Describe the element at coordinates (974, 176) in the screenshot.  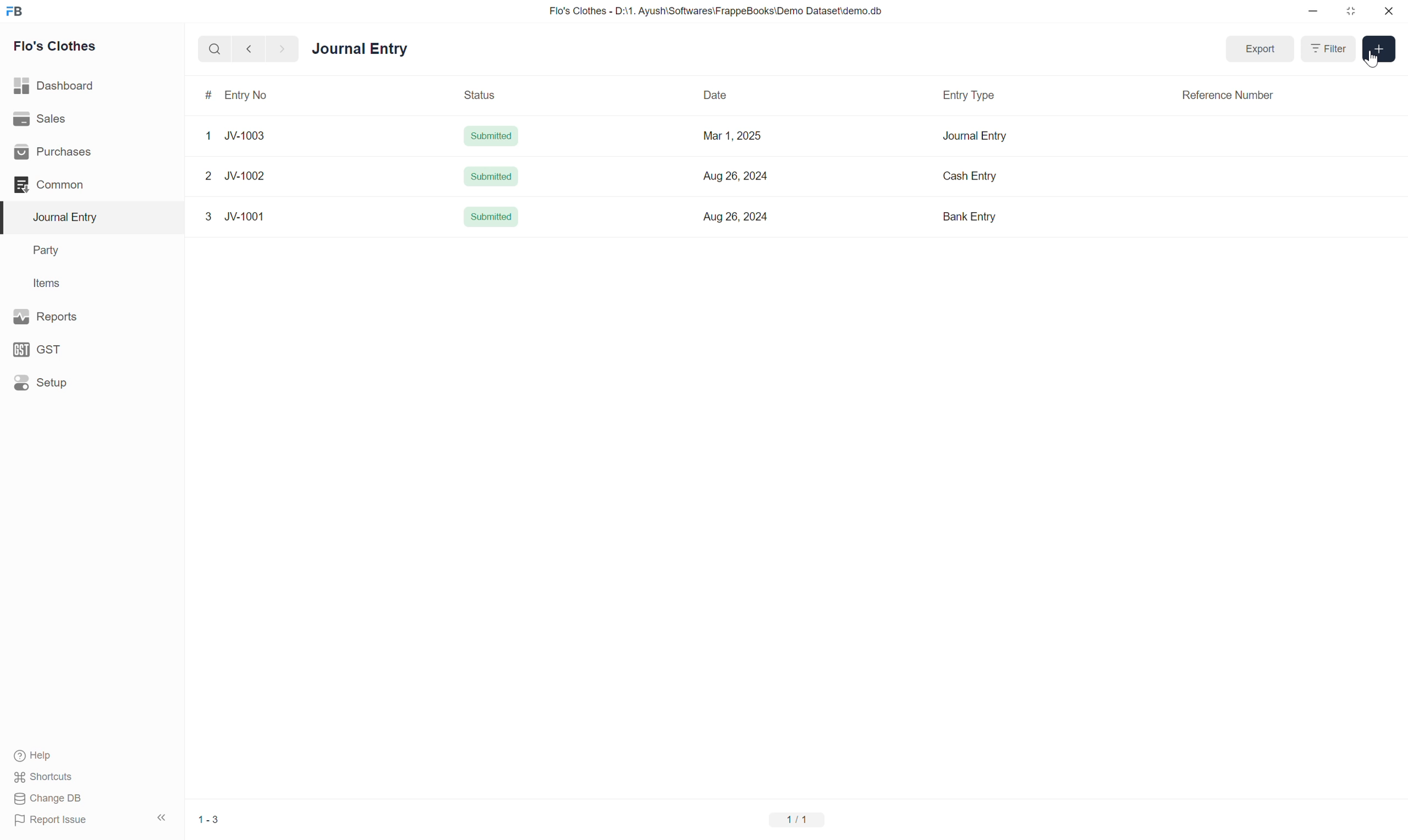
I see `Cash Entry` at that location.